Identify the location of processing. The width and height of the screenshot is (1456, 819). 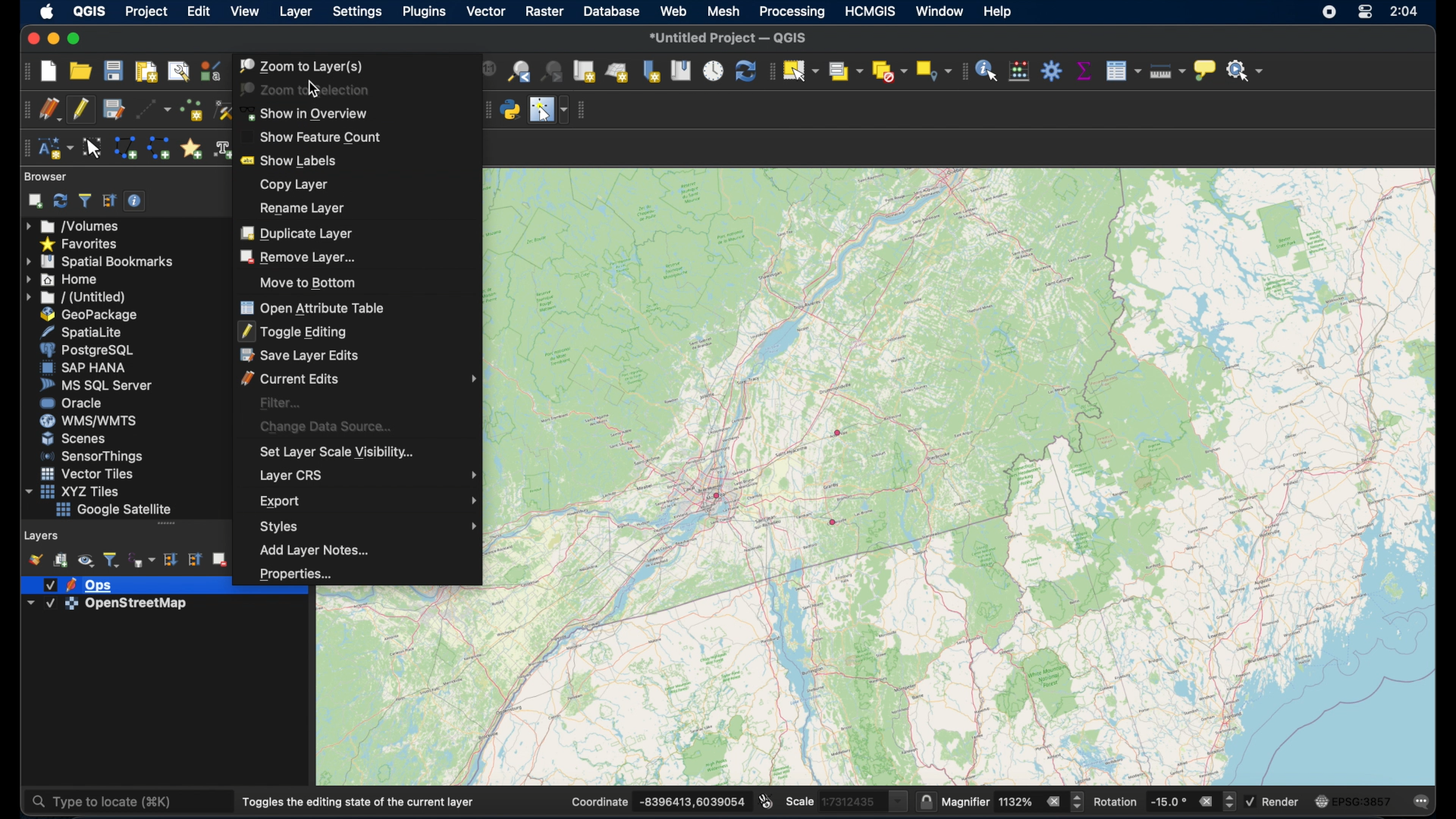
(792, 13).